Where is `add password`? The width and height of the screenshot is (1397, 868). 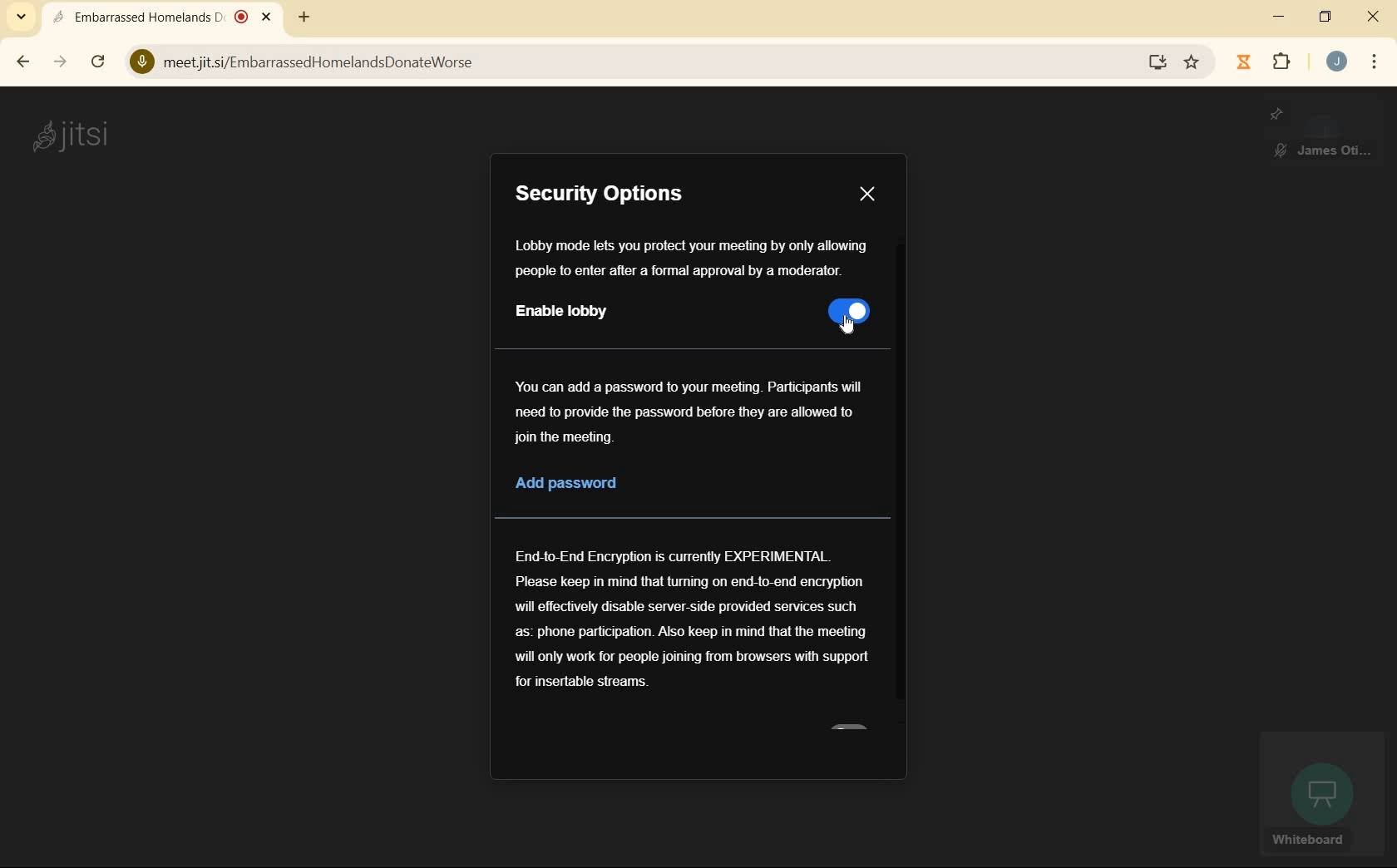 add password is located at coordinates (653, 486).